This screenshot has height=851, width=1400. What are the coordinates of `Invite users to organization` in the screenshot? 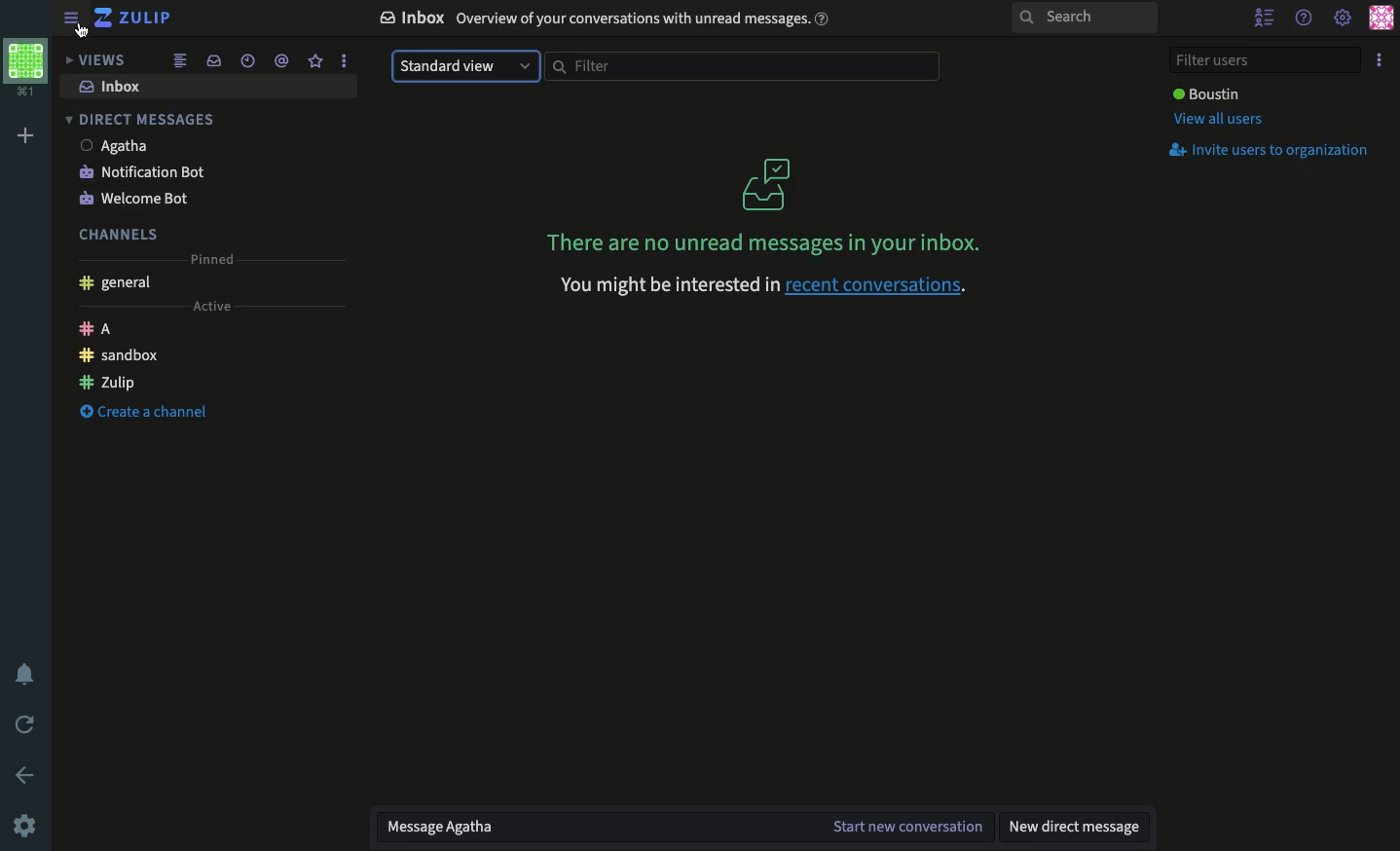 It's located at (1274, 152).